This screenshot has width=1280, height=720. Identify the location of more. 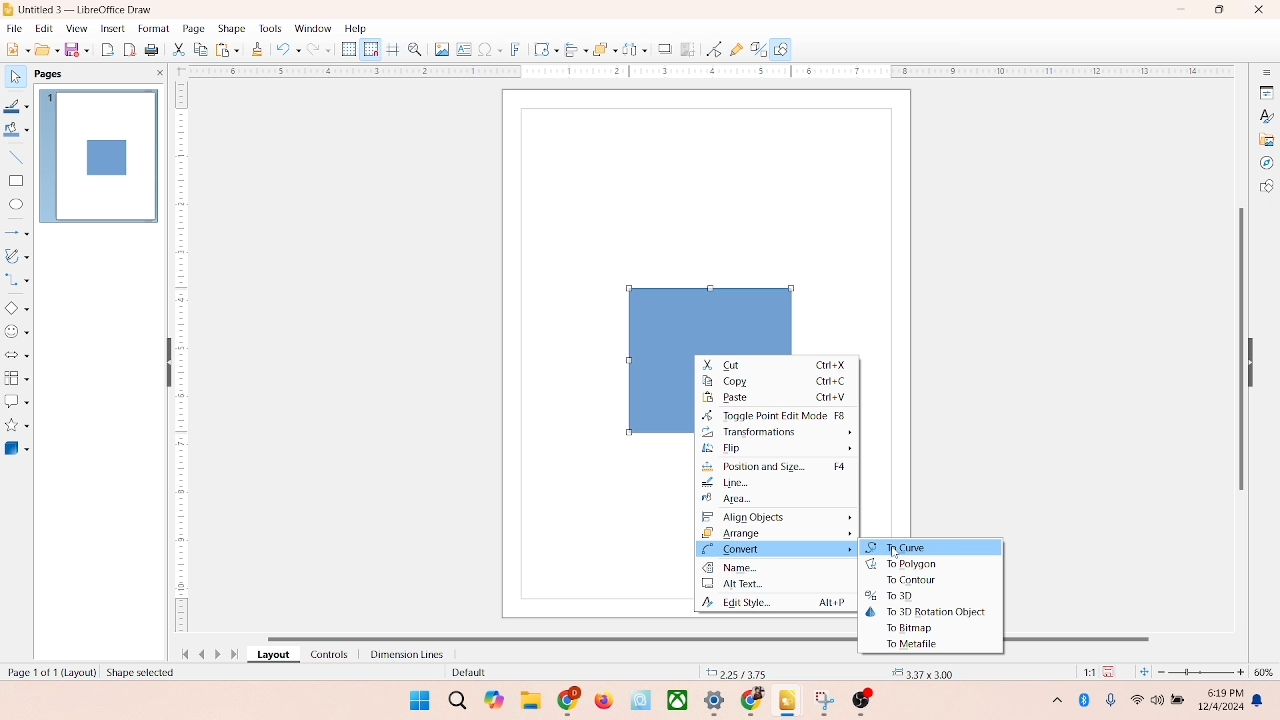
(1054, 699).